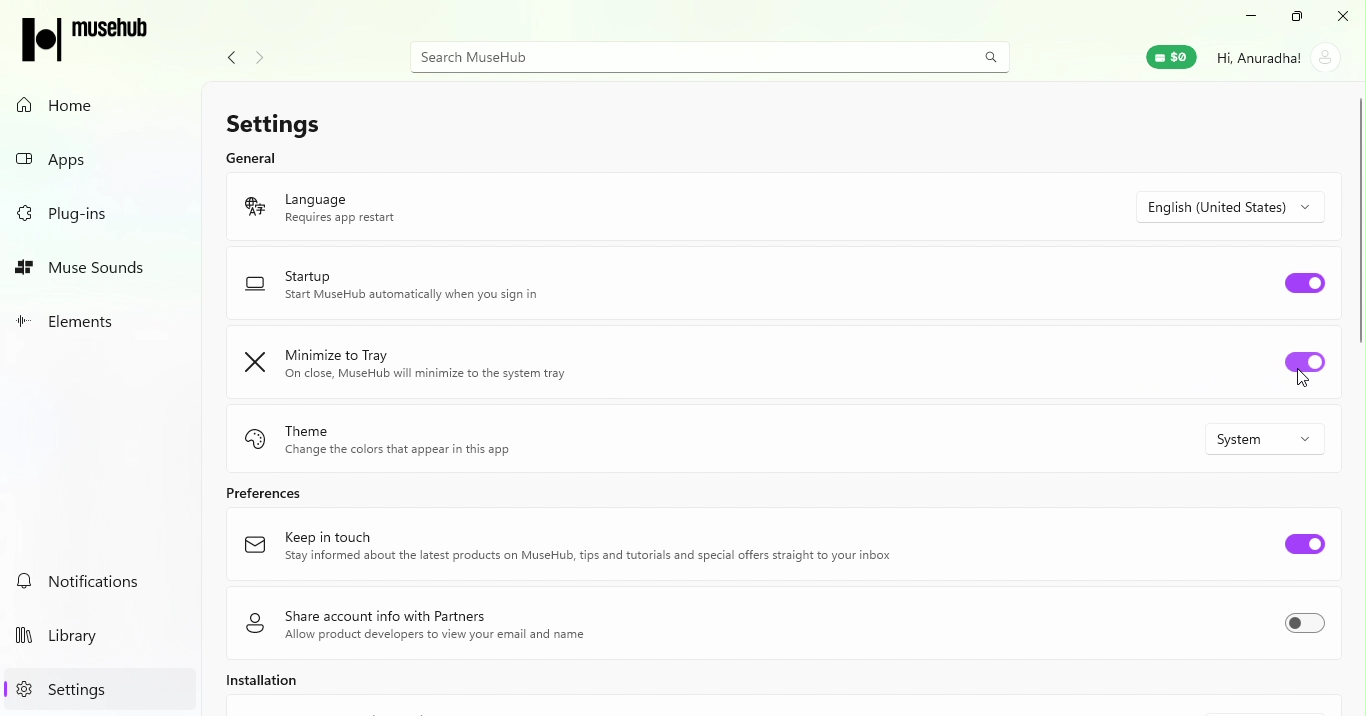 The width and height of the screenshot is (1366, 716). Describe the element at coordinates (1299, 543) in the screenshot. I see `Toggle` at that location.